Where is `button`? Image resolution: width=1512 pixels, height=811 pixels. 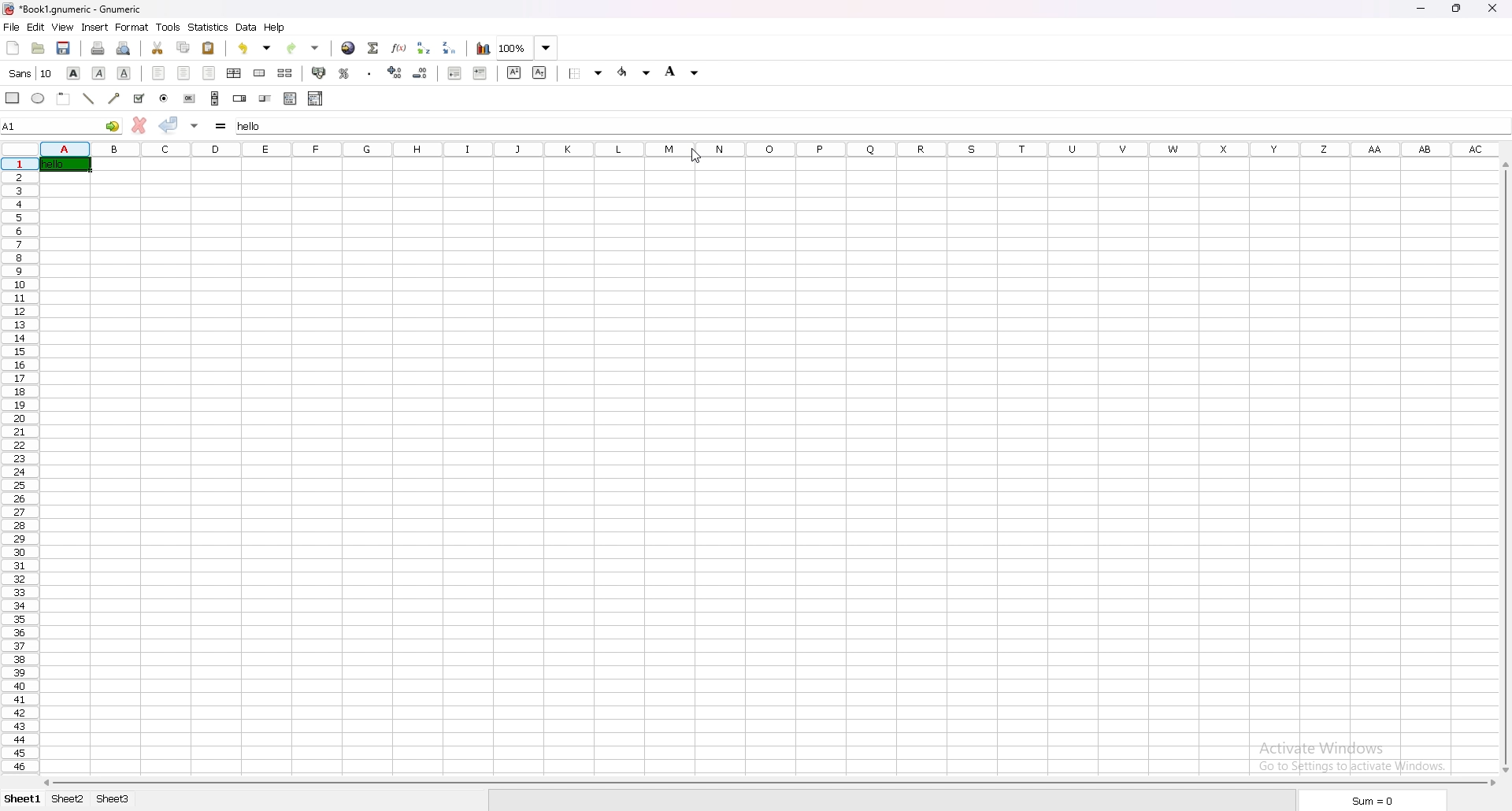 button is located at coordinates (190, 98).